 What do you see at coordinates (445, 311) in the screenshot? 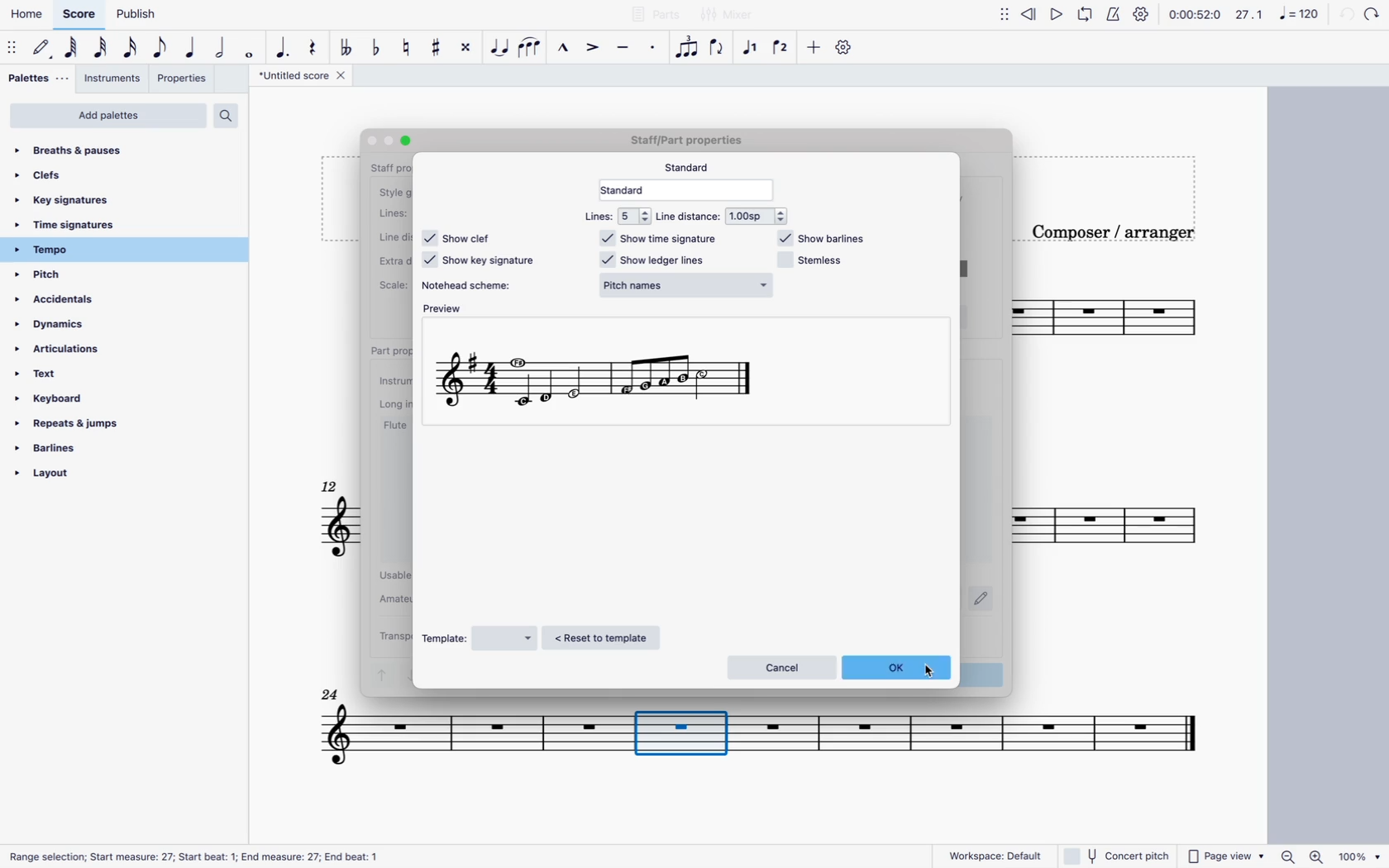
I see `preview` at bounding box center [445, 311].